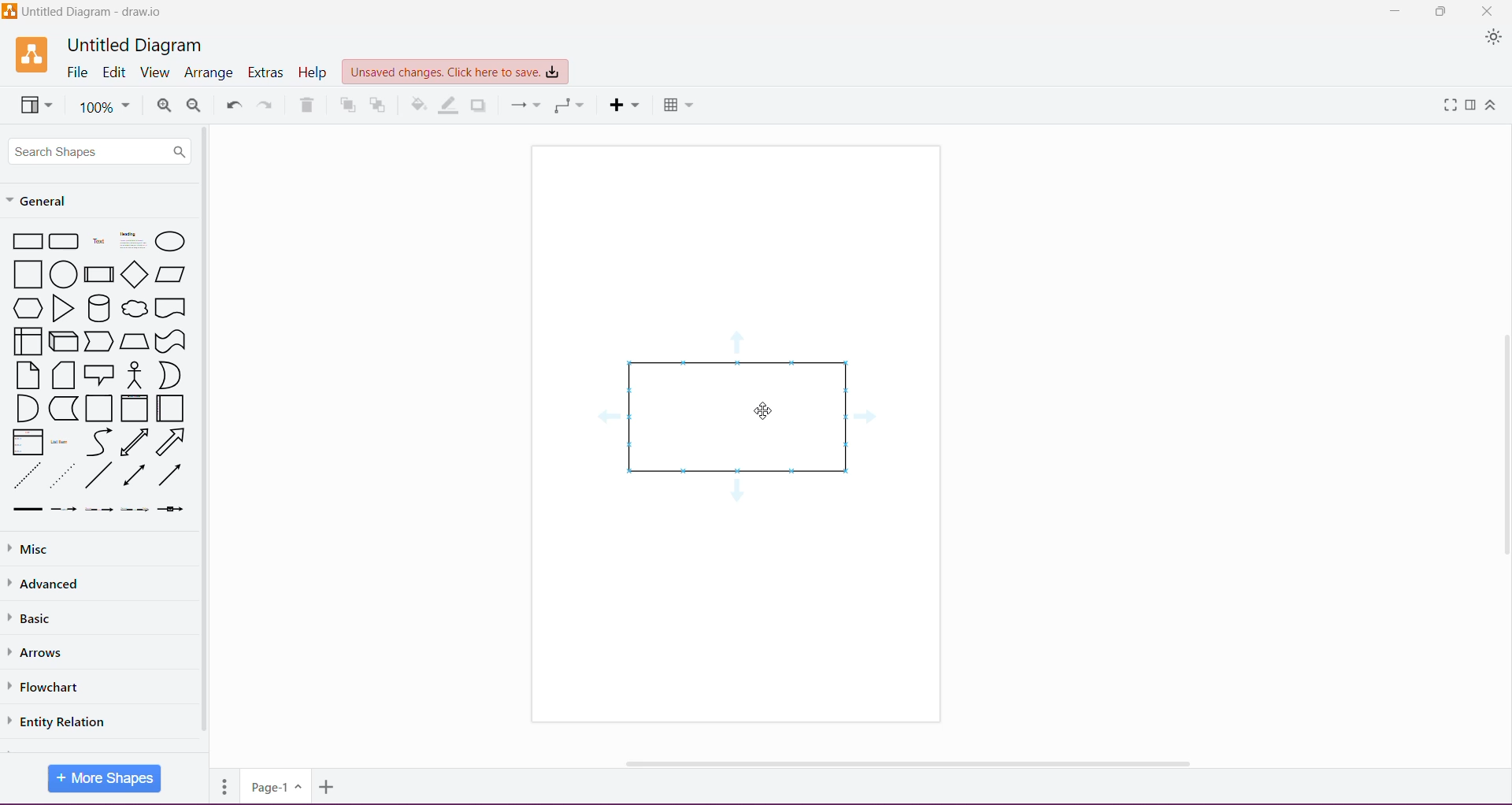 The image size is (1512, 805). What do you see at coordinates (624, 105) in the screenshot?
I see `Insert` at bounding box center [624, 105].